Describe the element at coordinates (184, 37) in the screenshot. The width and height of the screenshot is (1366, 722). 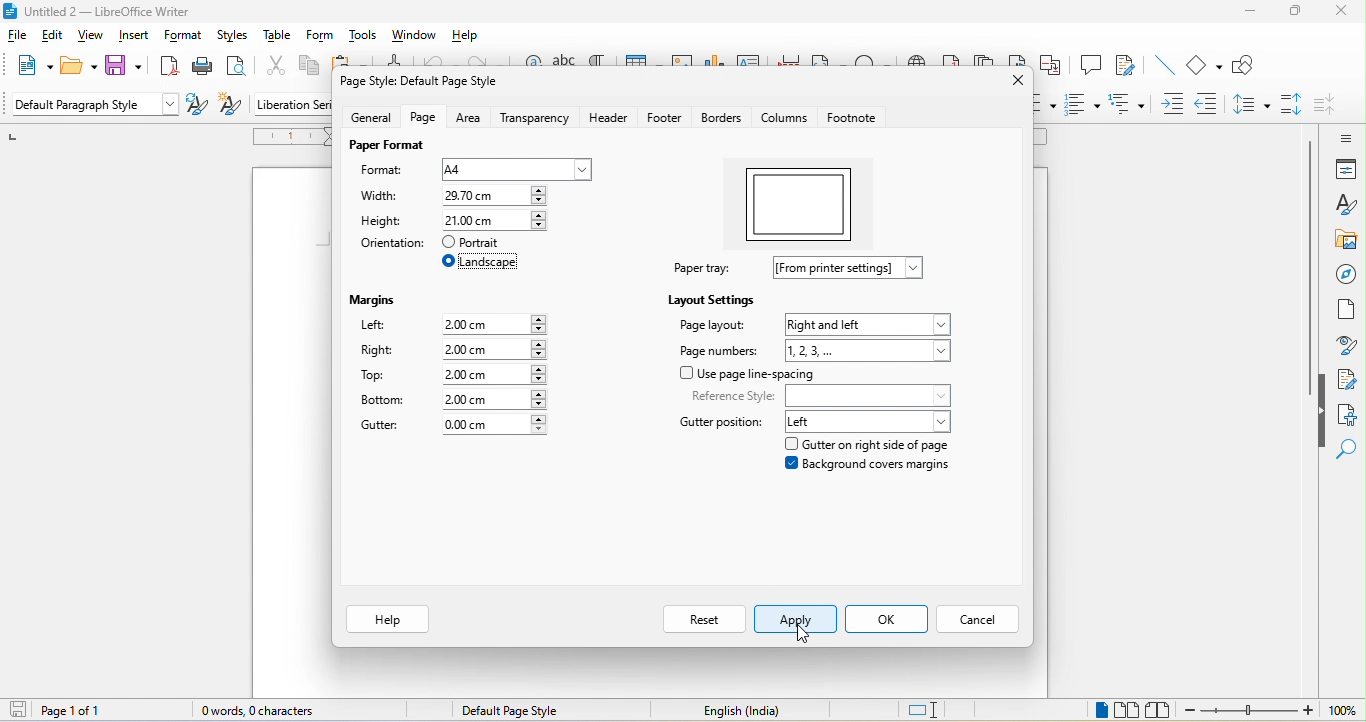
I see `format` at that location.